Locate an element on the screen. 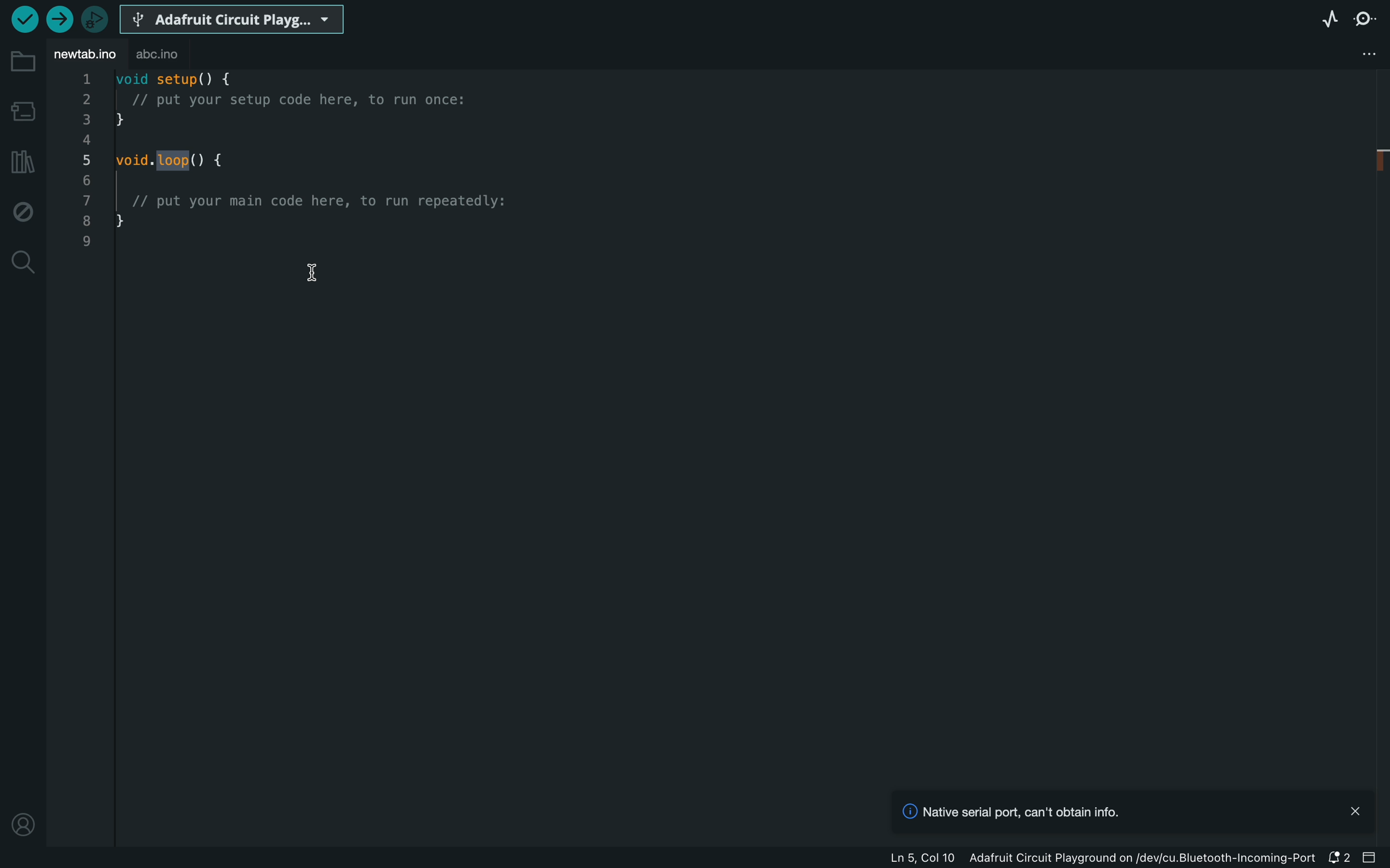  curso is located at coordinates (311, 273).